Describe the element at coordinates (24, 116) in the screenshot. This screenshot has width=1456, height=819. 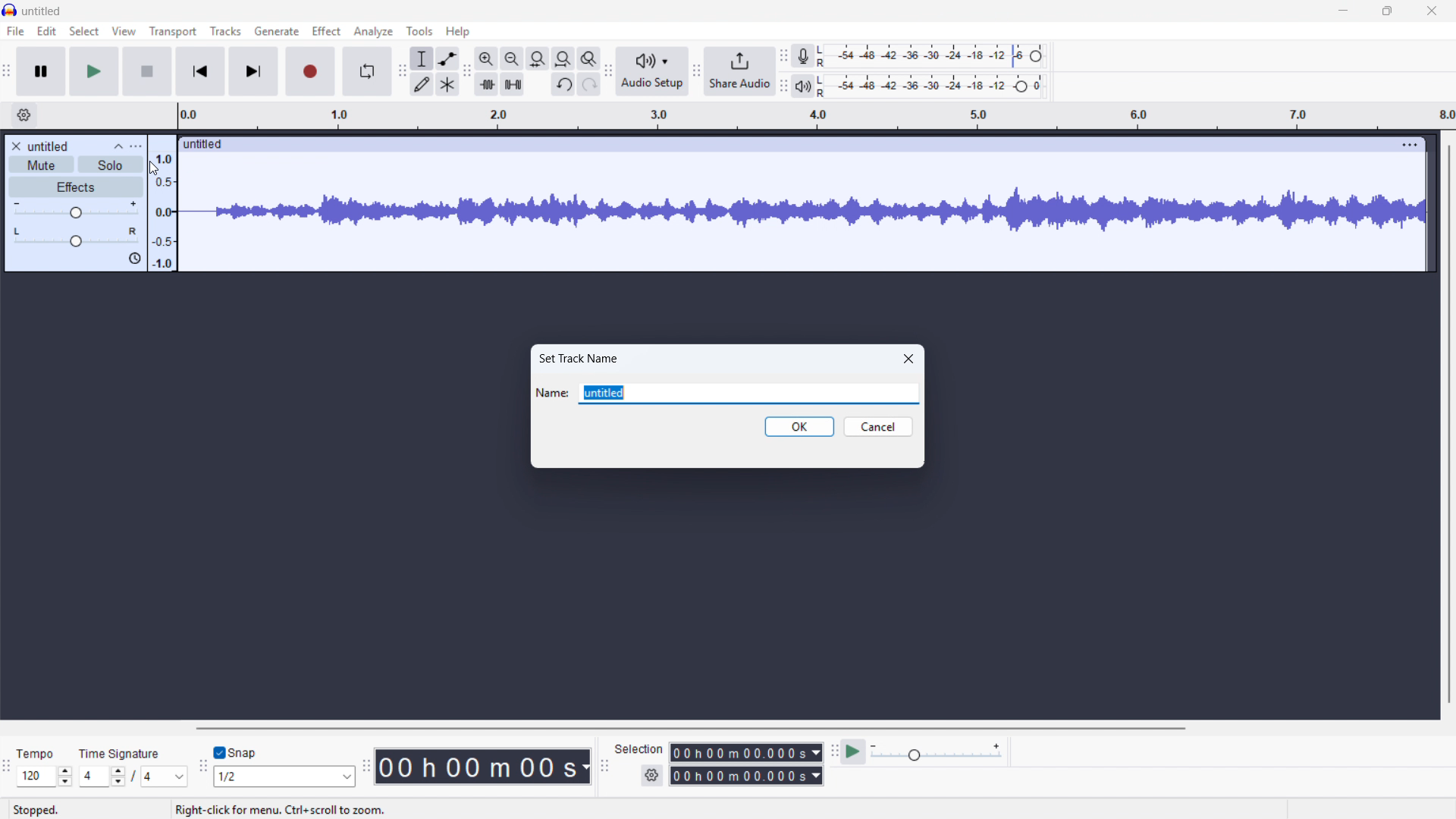
I see `Timeline settings ` at that location.